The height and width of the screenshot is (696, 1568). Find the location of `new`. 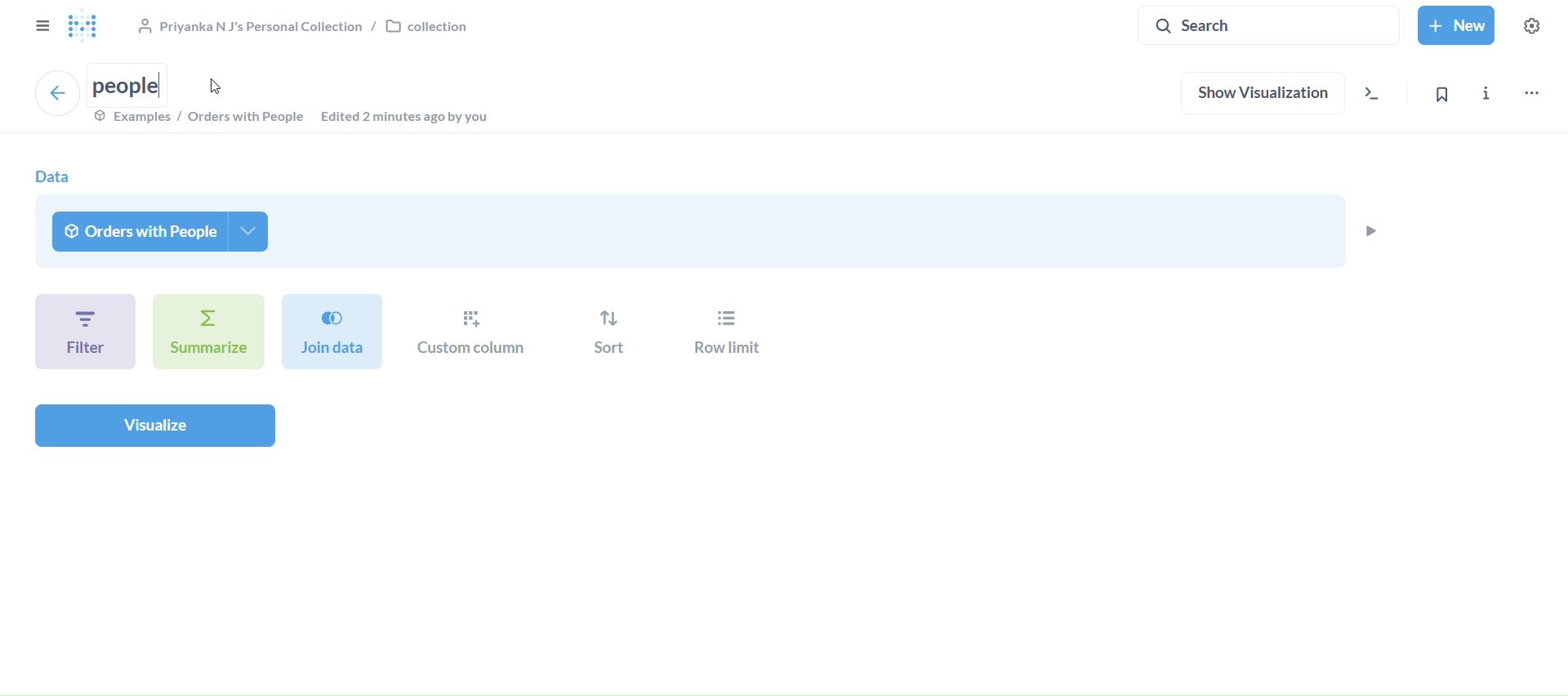

new is located at coordinates (1458, 26).